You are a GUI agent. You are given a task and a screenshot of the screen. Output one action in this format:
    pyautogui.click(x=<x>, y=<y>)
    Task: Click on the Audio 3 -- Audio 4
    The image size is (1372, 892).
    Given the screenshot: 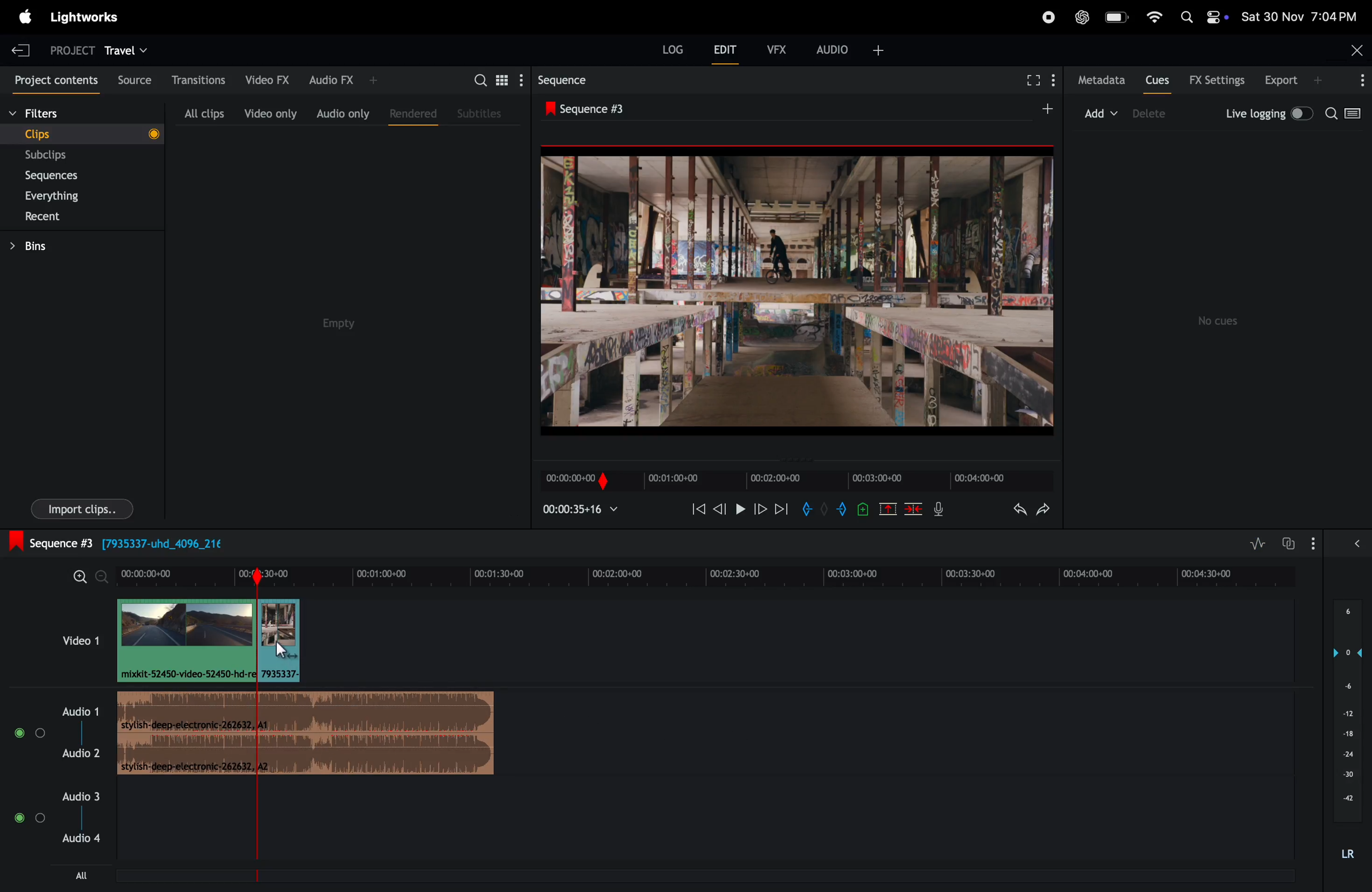 What is the action you would take?
    pyautogui.click(x=77, y=816)
    